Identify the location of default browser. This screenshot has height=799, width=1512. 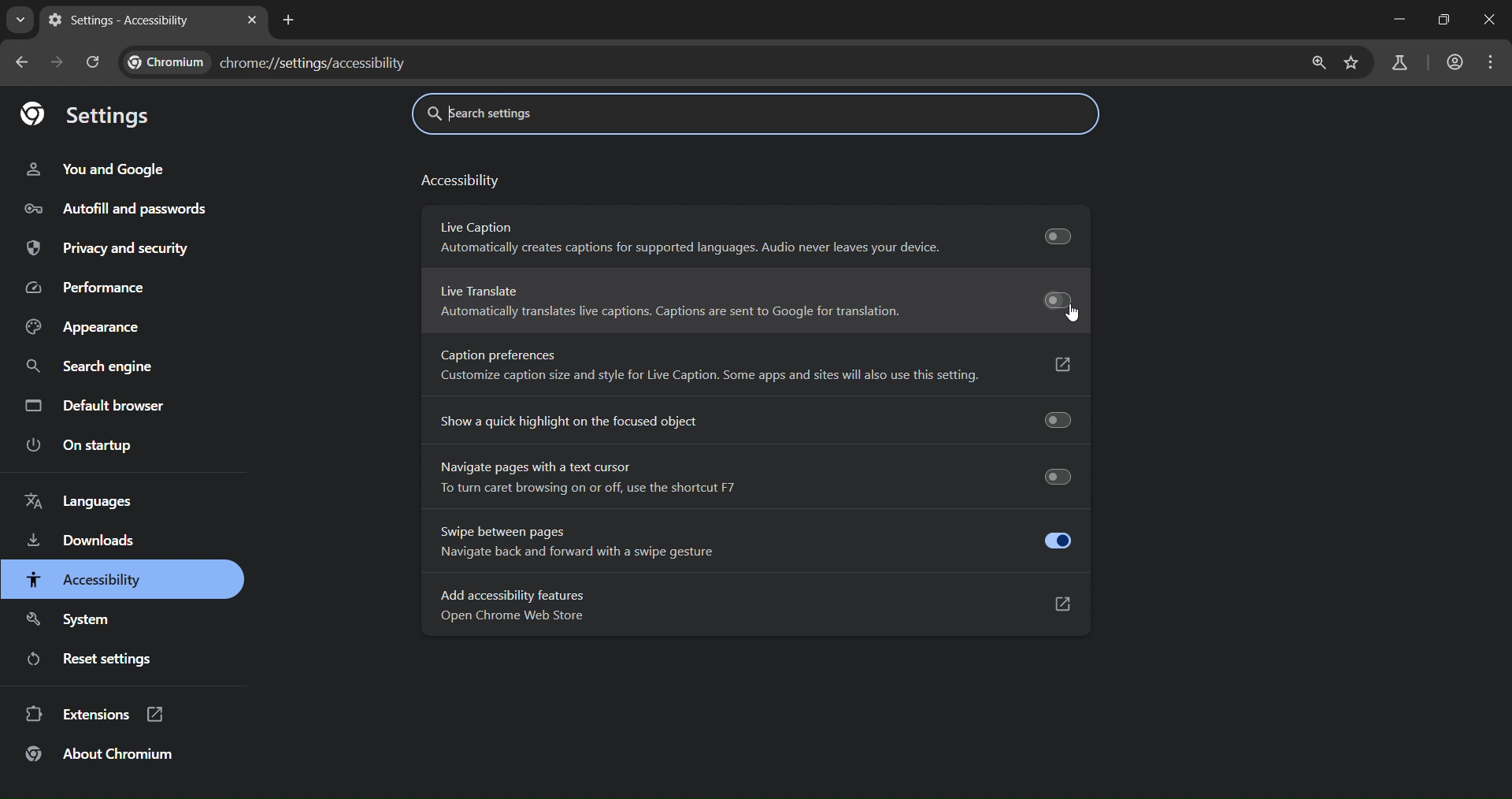
(94, 406).